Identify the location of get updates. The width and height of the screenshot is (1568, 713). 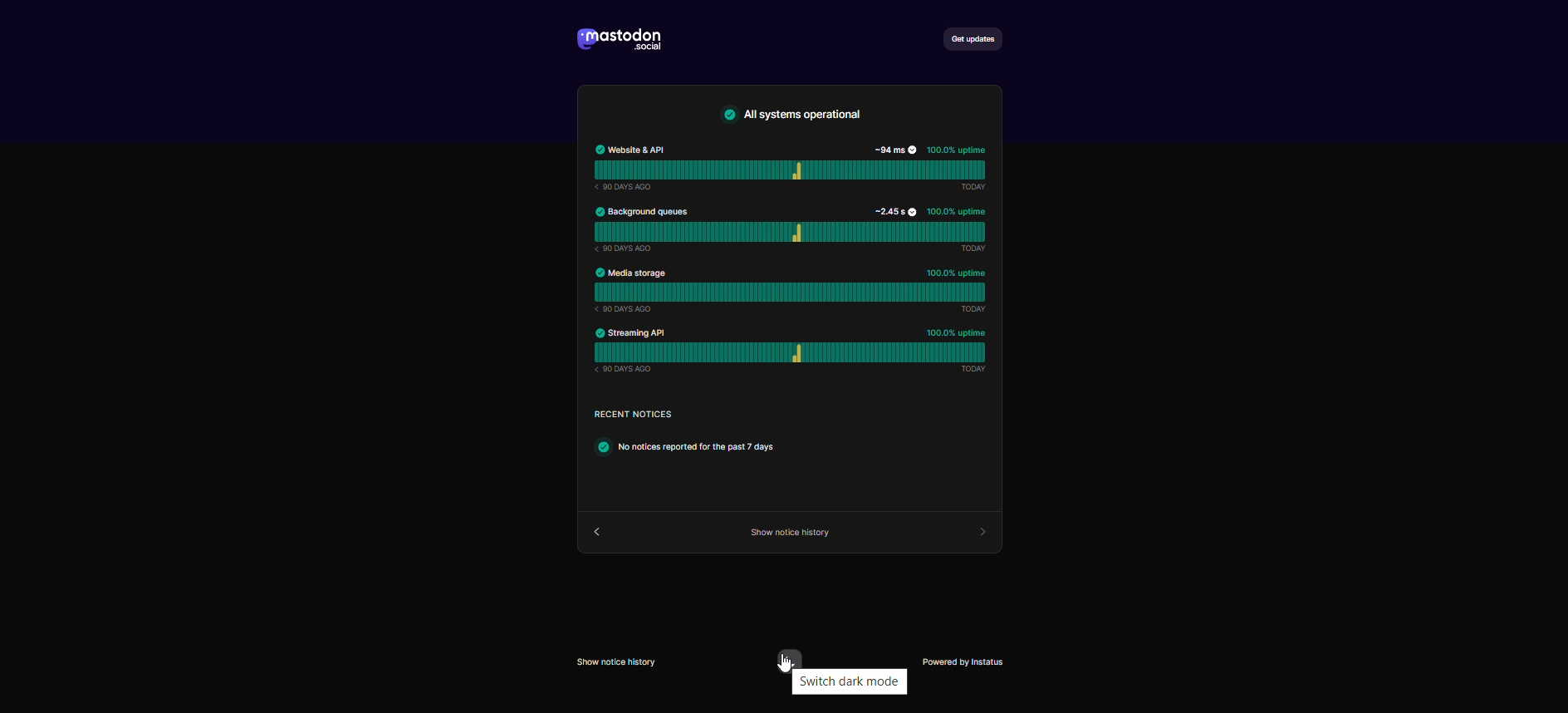
(971, 41).